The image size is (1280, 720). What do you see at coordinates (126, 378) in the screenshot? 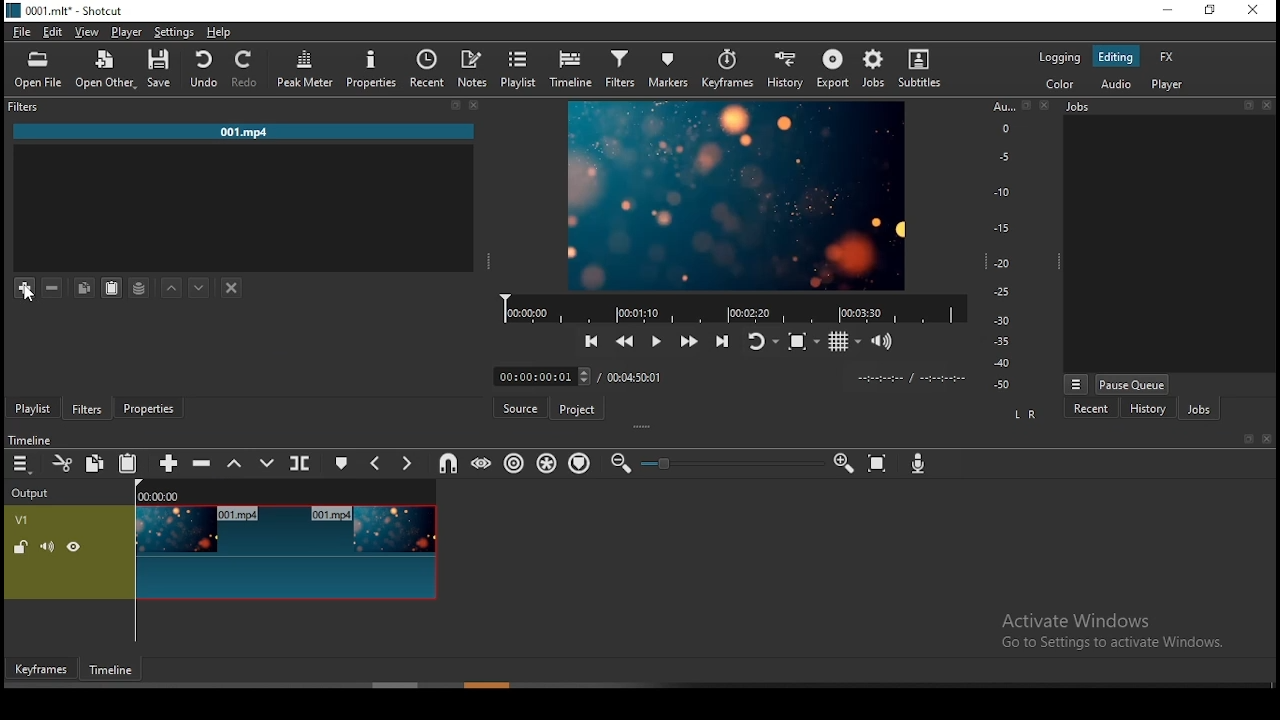
I see `add files to playlist` at bounding box center [126, 378].